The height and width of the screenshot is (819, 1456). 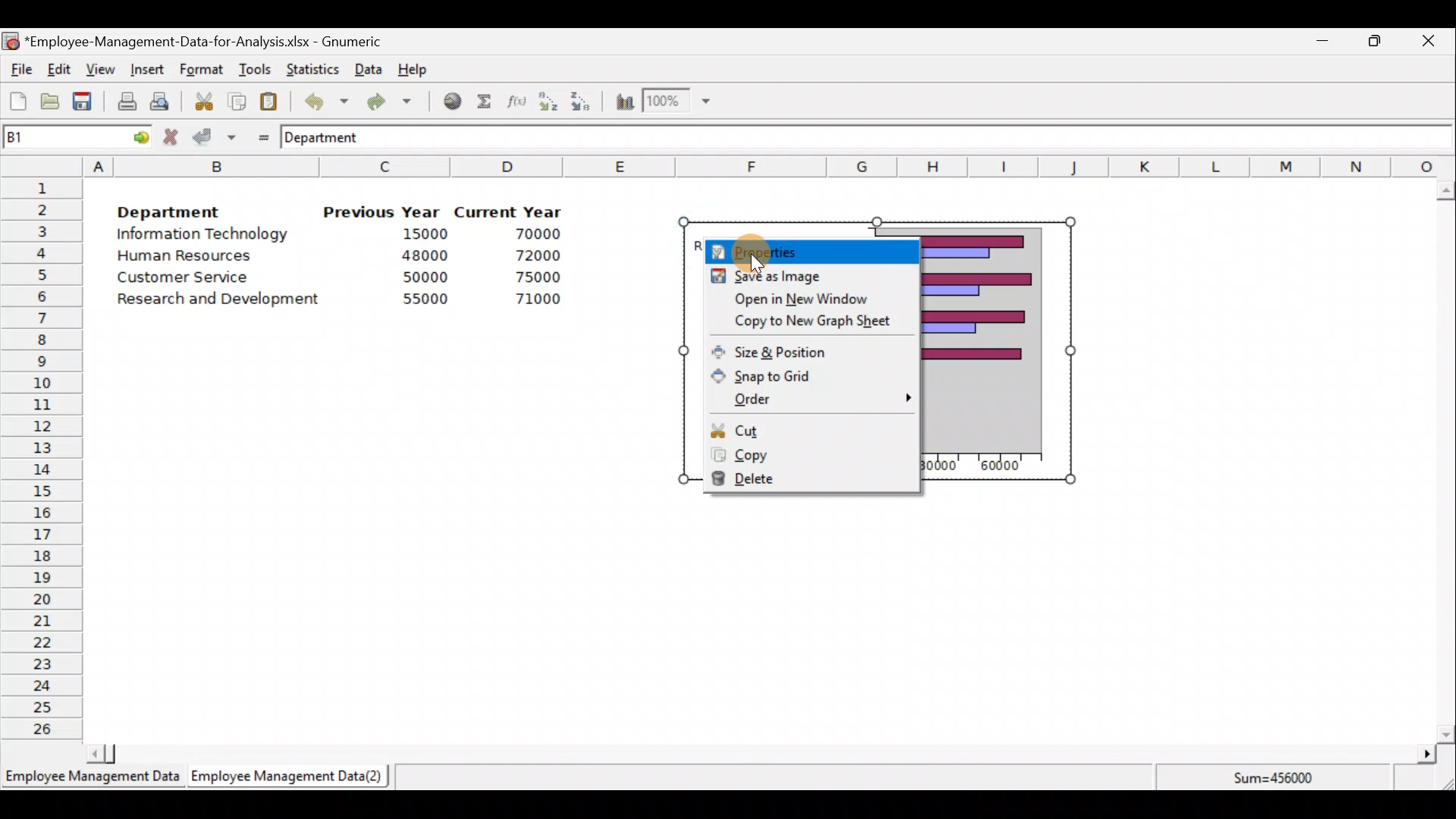 What do you see at coordinates (159, 99) in the screenshot?
I see `Print preview` at bounding box center [159, 99].